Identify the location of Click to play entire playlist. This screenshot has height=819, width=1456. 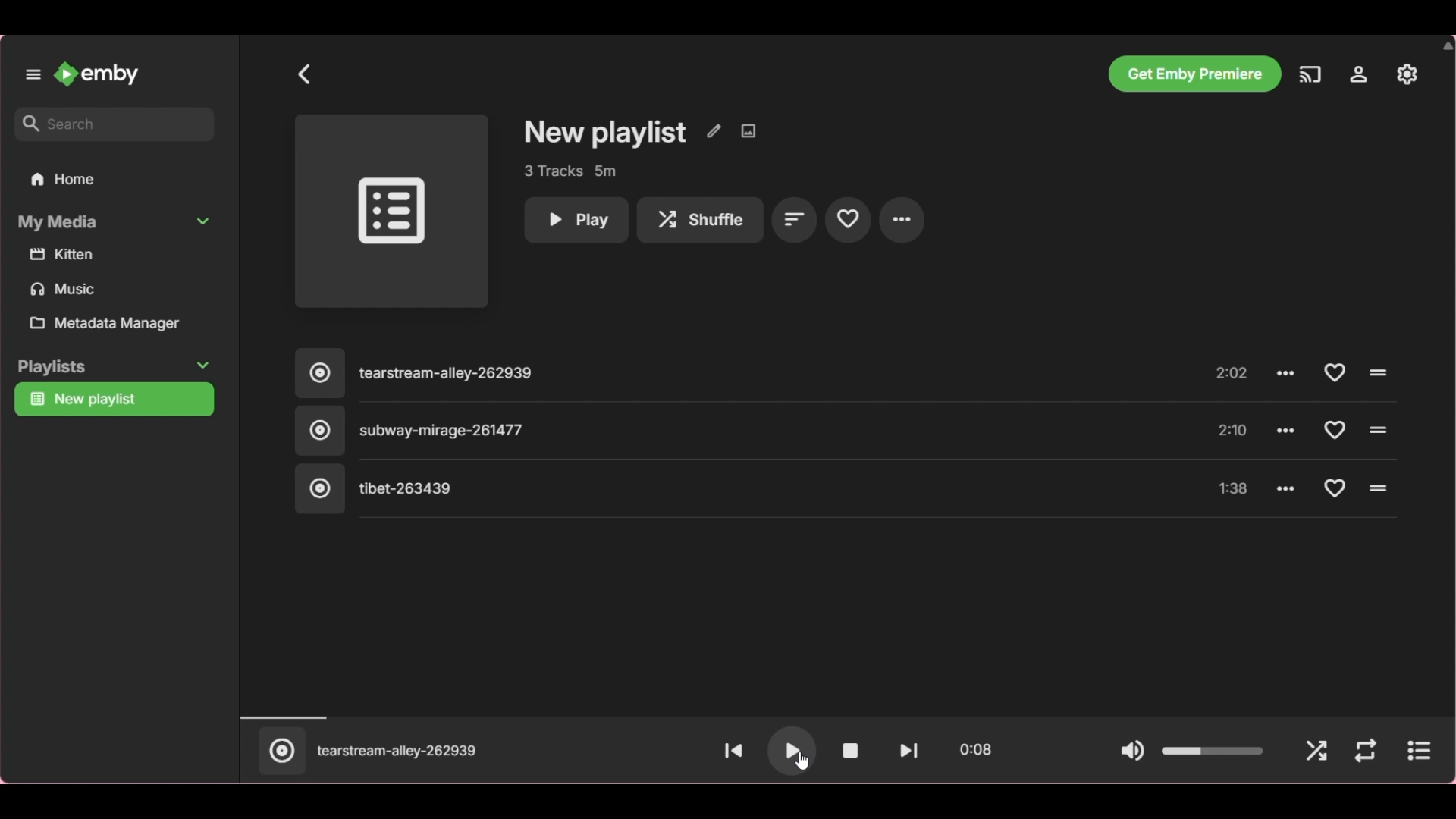
(391, 212).